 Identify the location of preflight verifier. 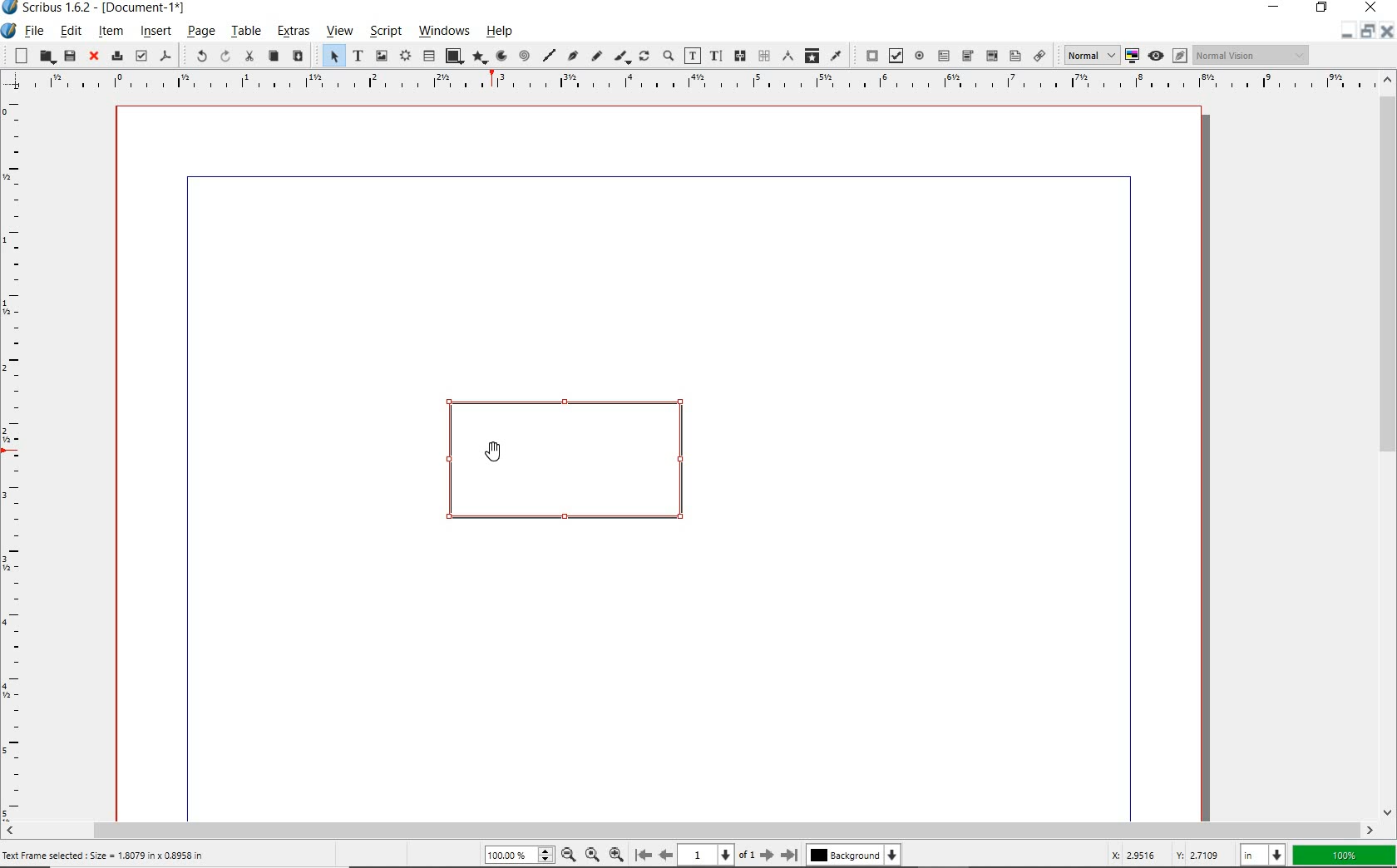
(141, 55).